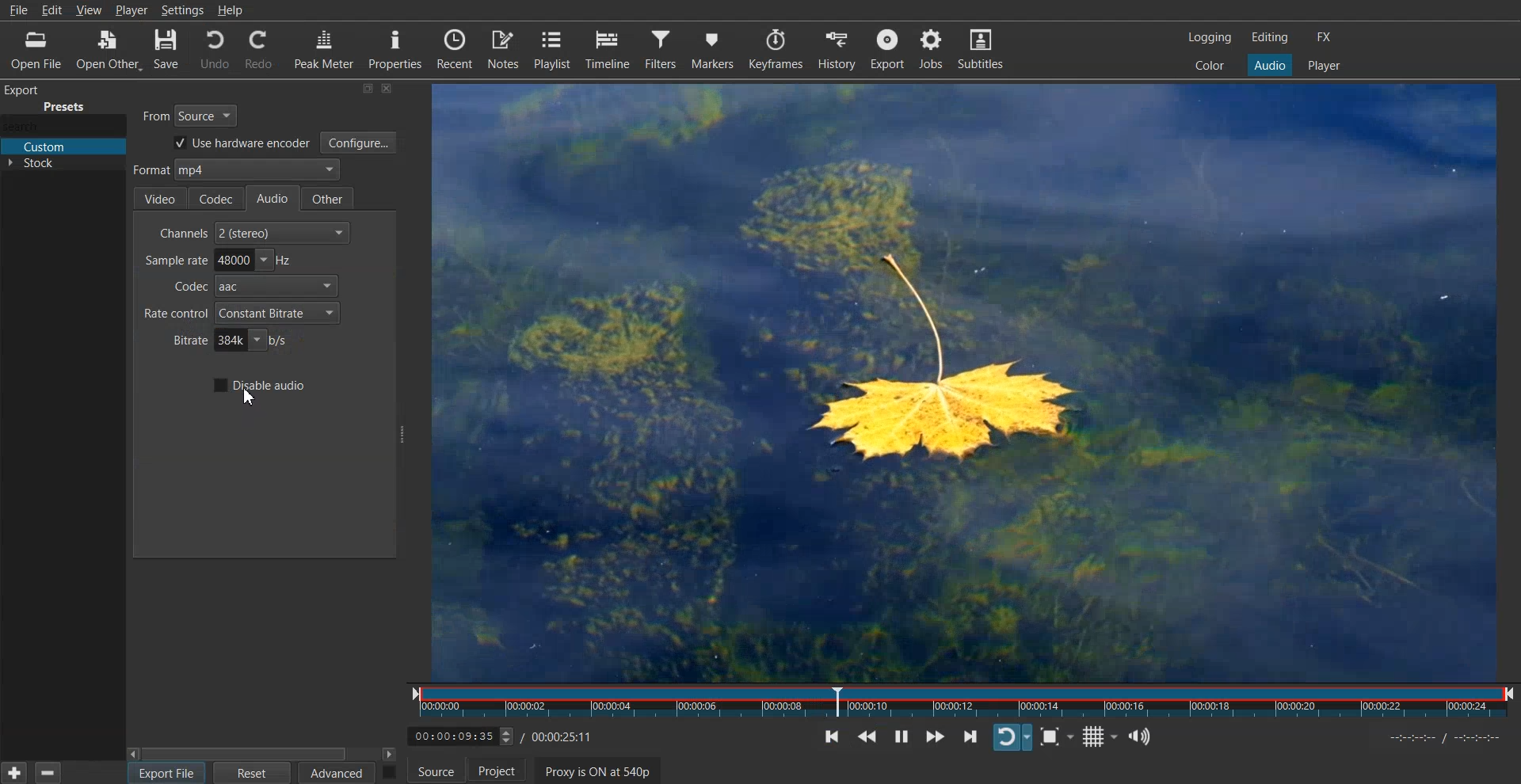 Image resolution: width=1521 pixels, height=784 pixels. I want to click on Editing, so click(1270, 36).